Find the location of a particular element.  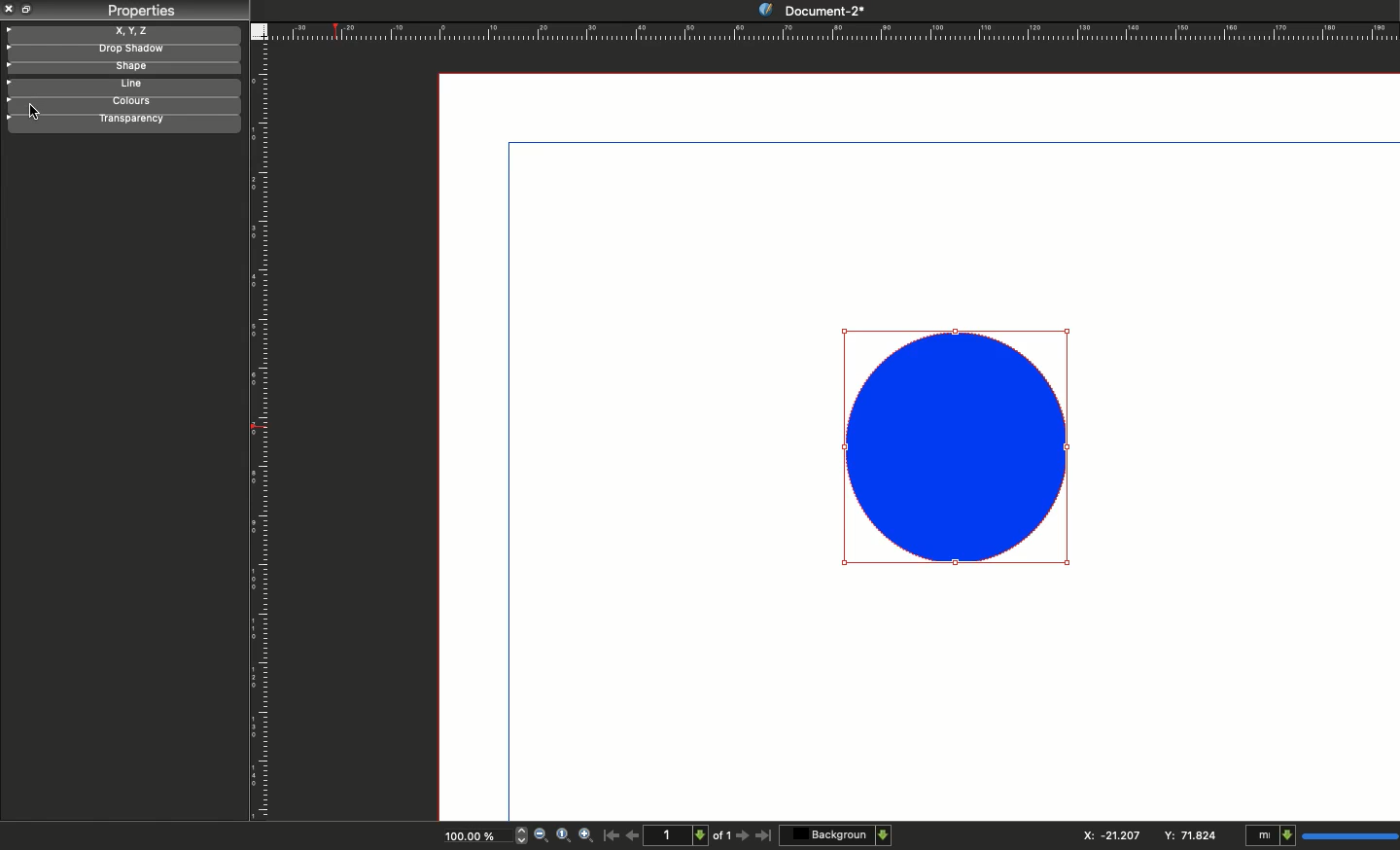

Last page is located at coordinates (764, 836).